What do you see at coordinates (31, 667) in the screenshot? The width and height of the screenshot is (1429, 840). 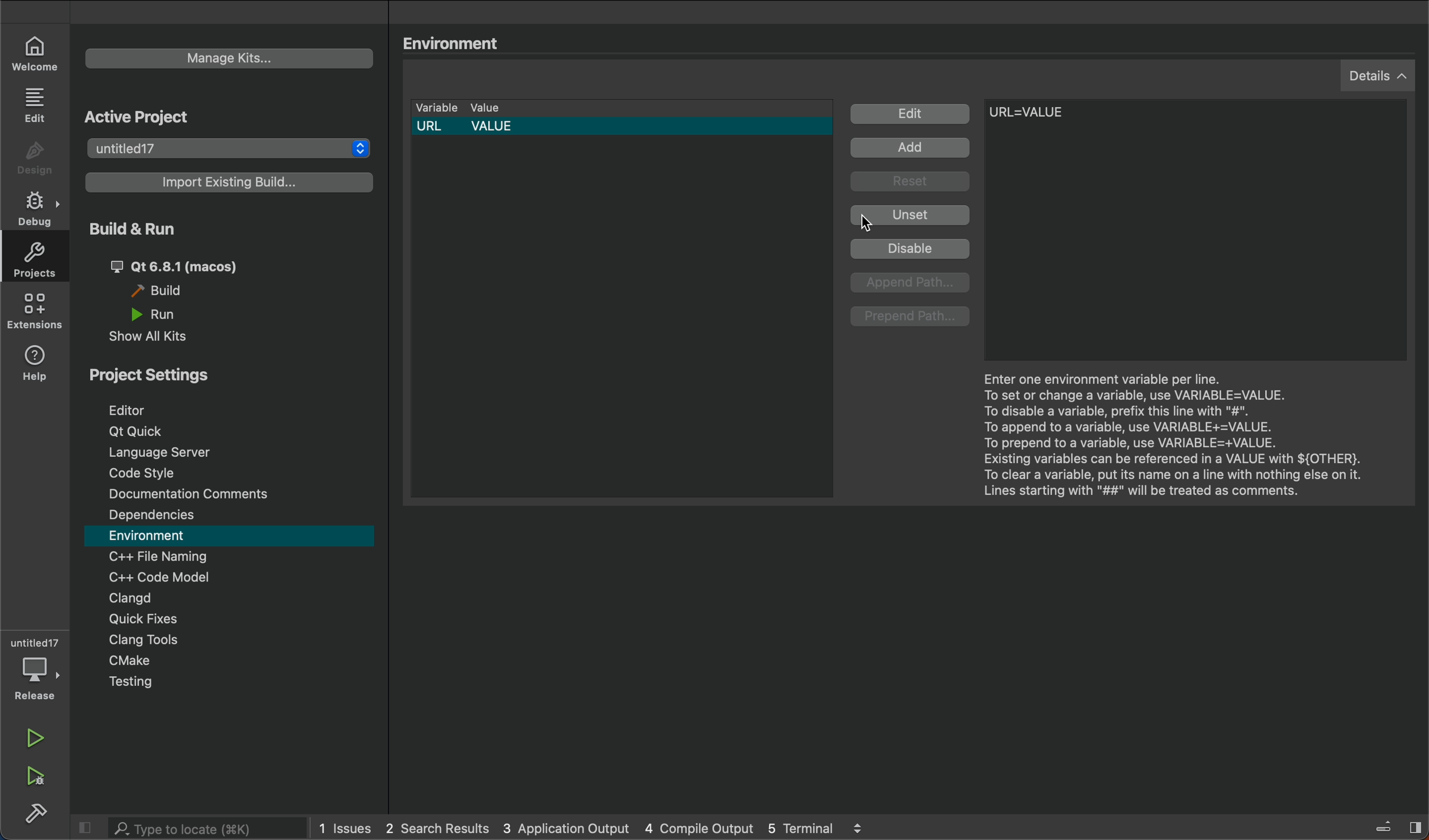 I see `debugger` at bounding box center [31, 667].